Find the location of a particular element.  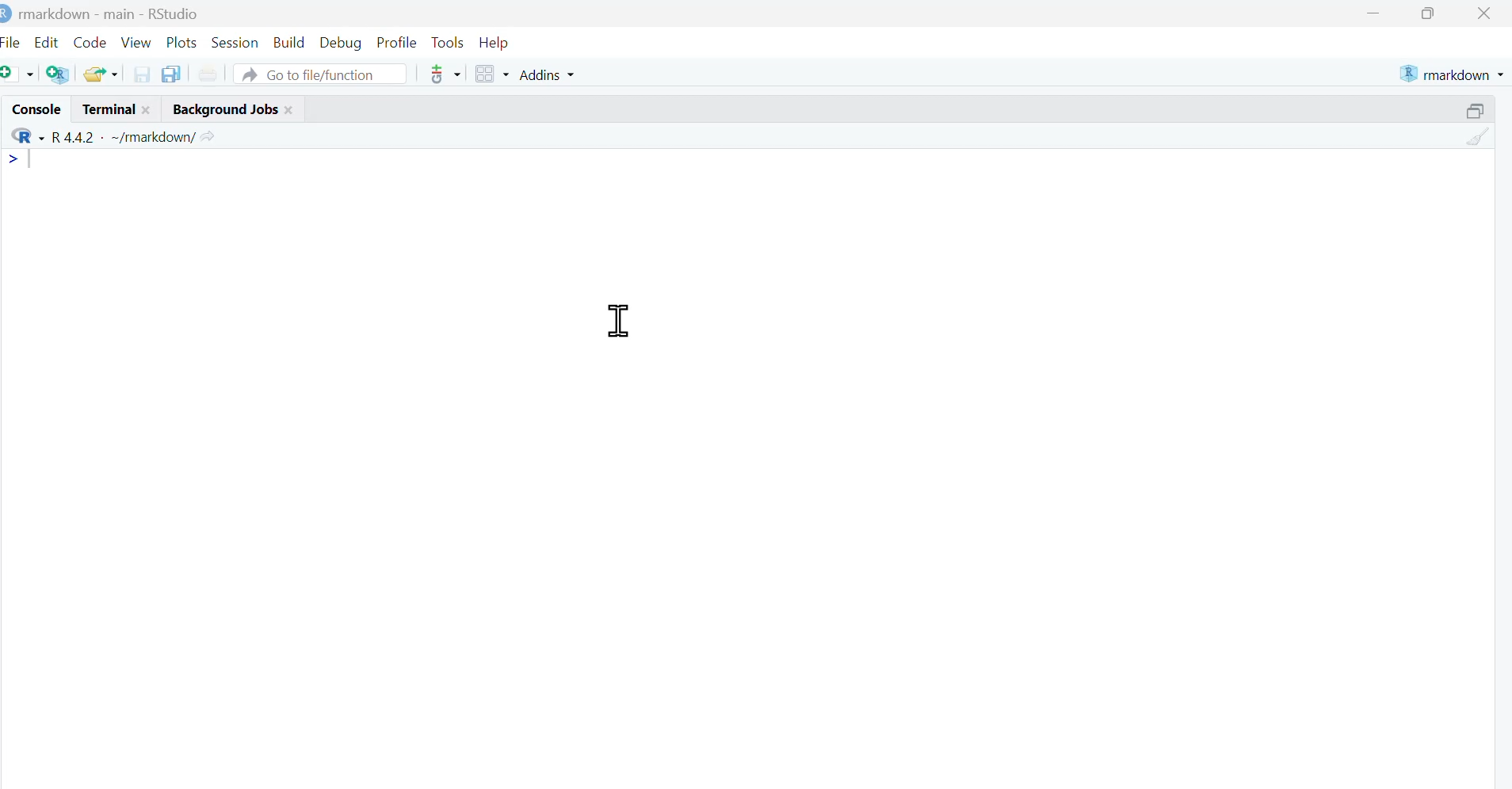

R is located at coordinates (25, 135).